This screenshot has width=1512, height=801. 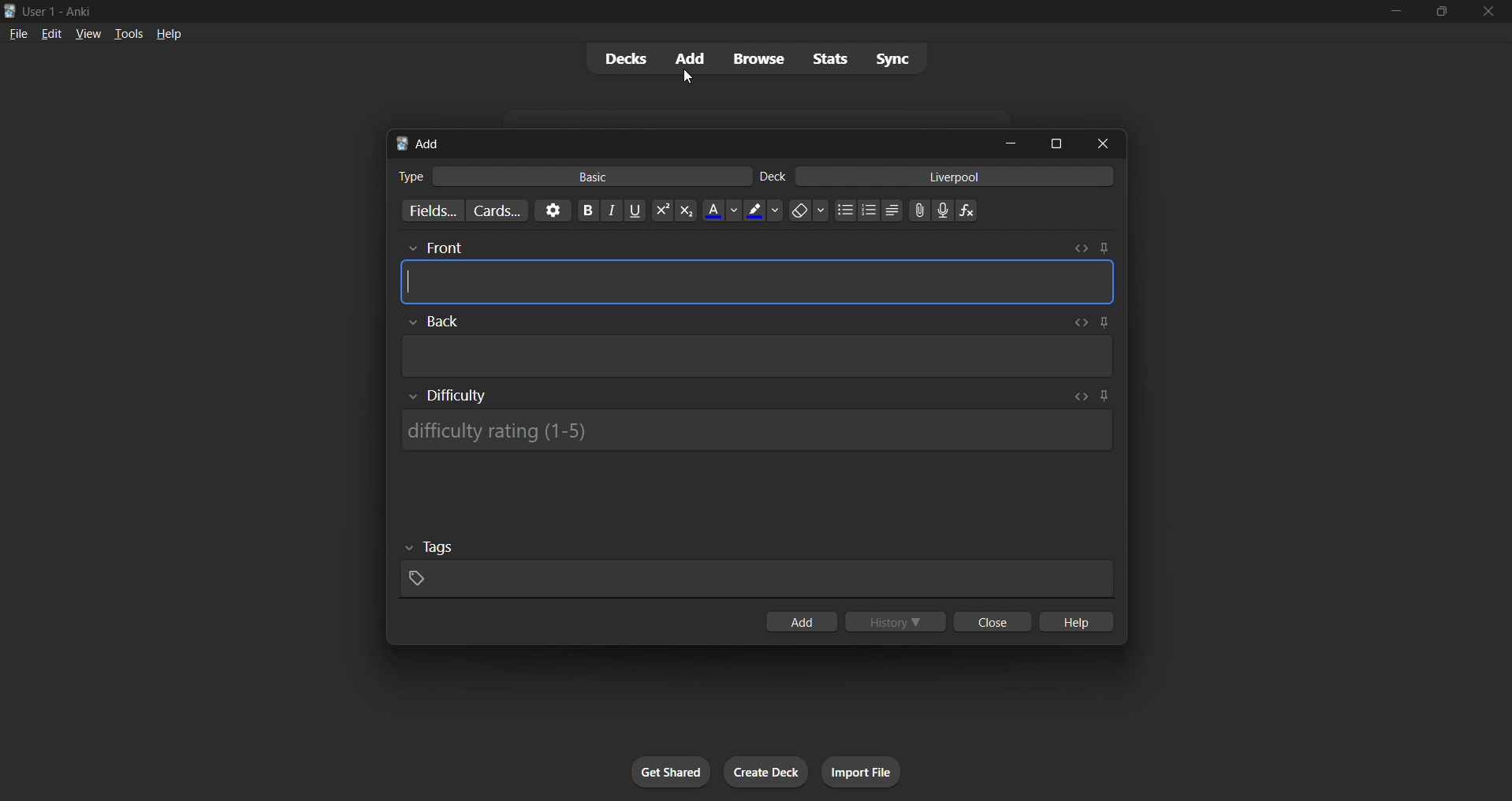 What do you see at coordinates (918, 212) in the screenshot?
I see `link` at bounding box center [918, 212].